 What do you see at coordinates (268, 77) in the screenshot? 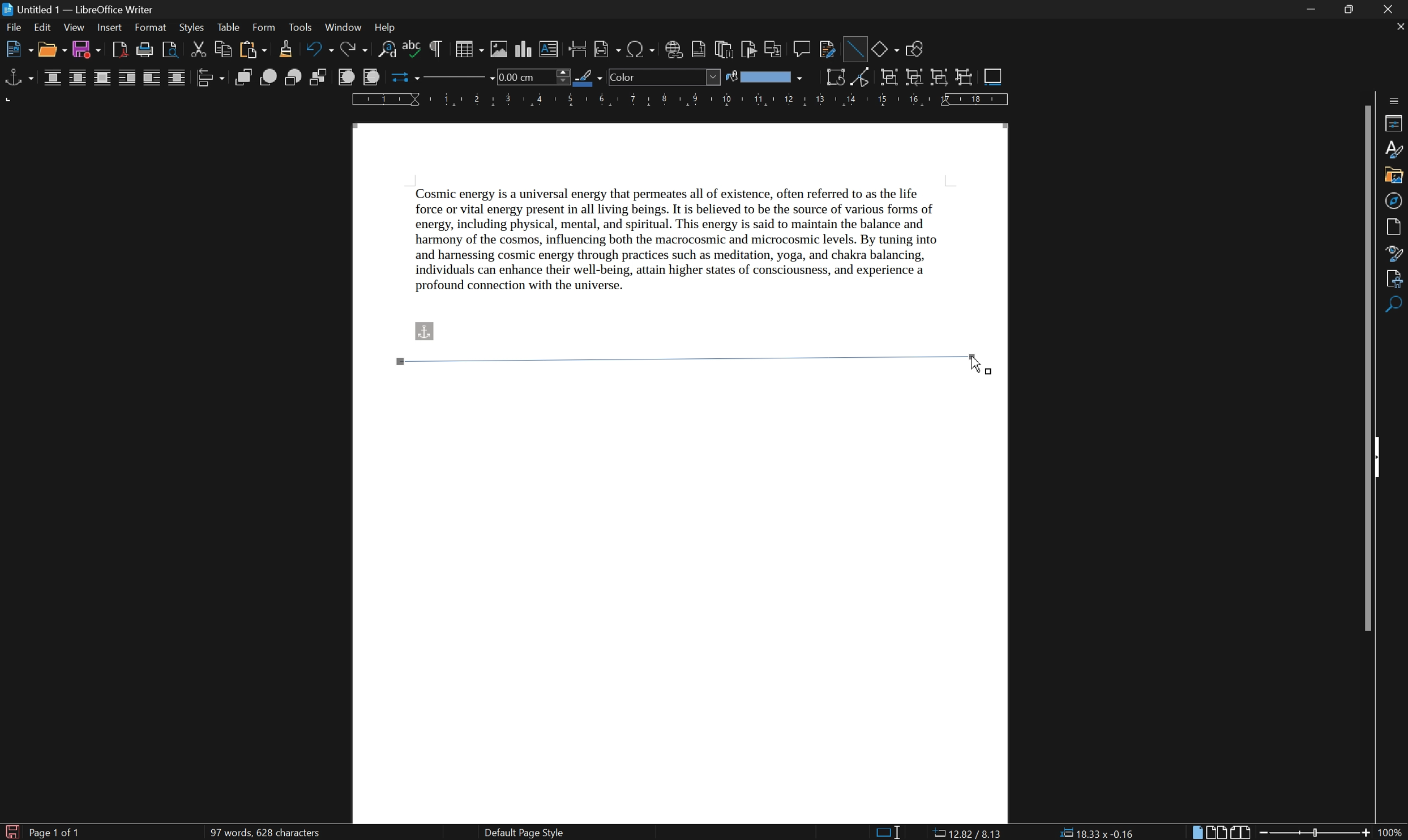
I see `forward one` at bounding box center [268, 77].